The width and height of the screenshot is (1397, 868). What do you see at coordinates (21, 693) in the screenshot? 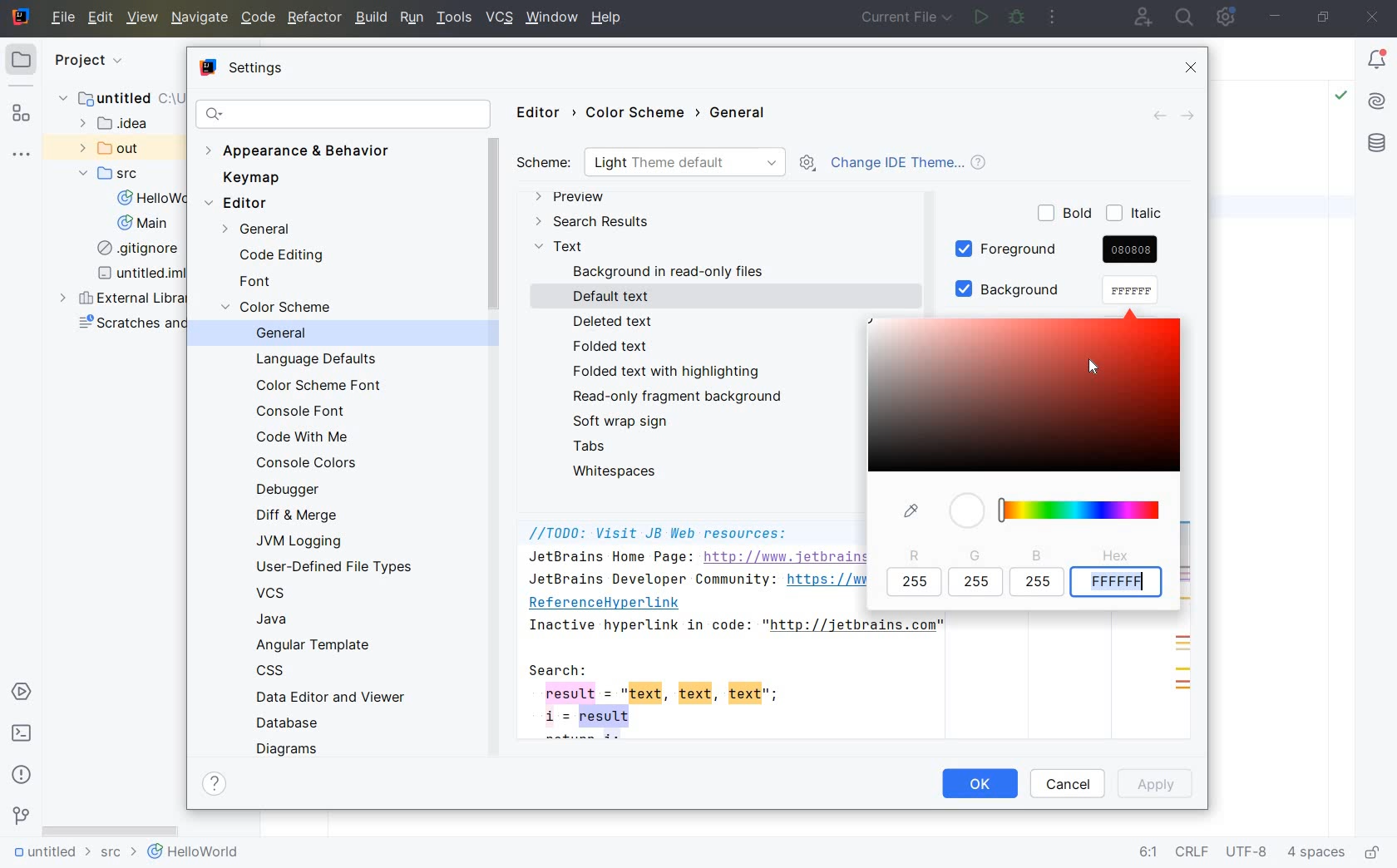
I see `services` at bounding box center [21, 693].